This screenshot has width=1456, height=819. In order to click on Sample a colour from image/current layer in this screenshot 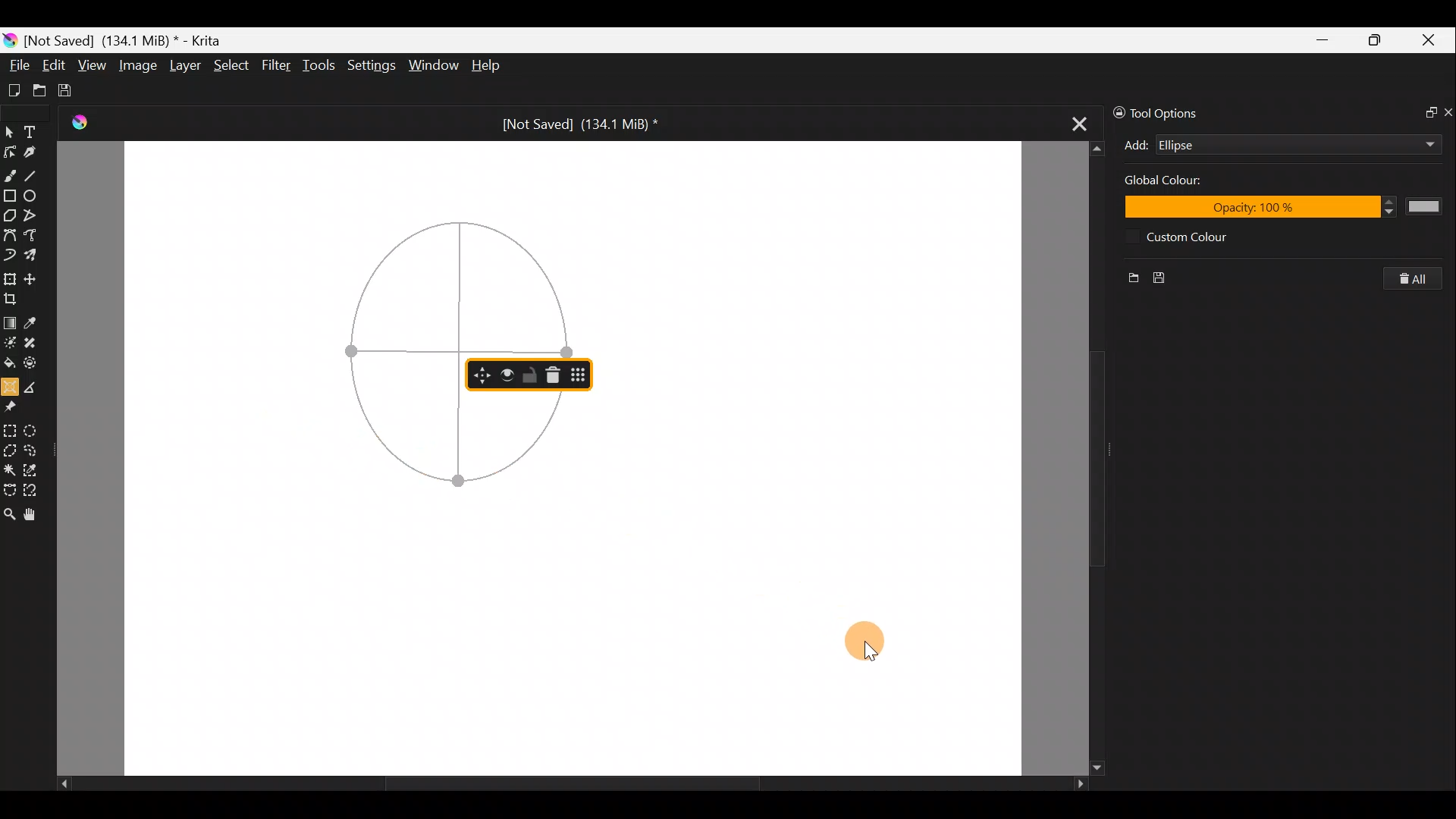, I will do `click(33, 320)`.